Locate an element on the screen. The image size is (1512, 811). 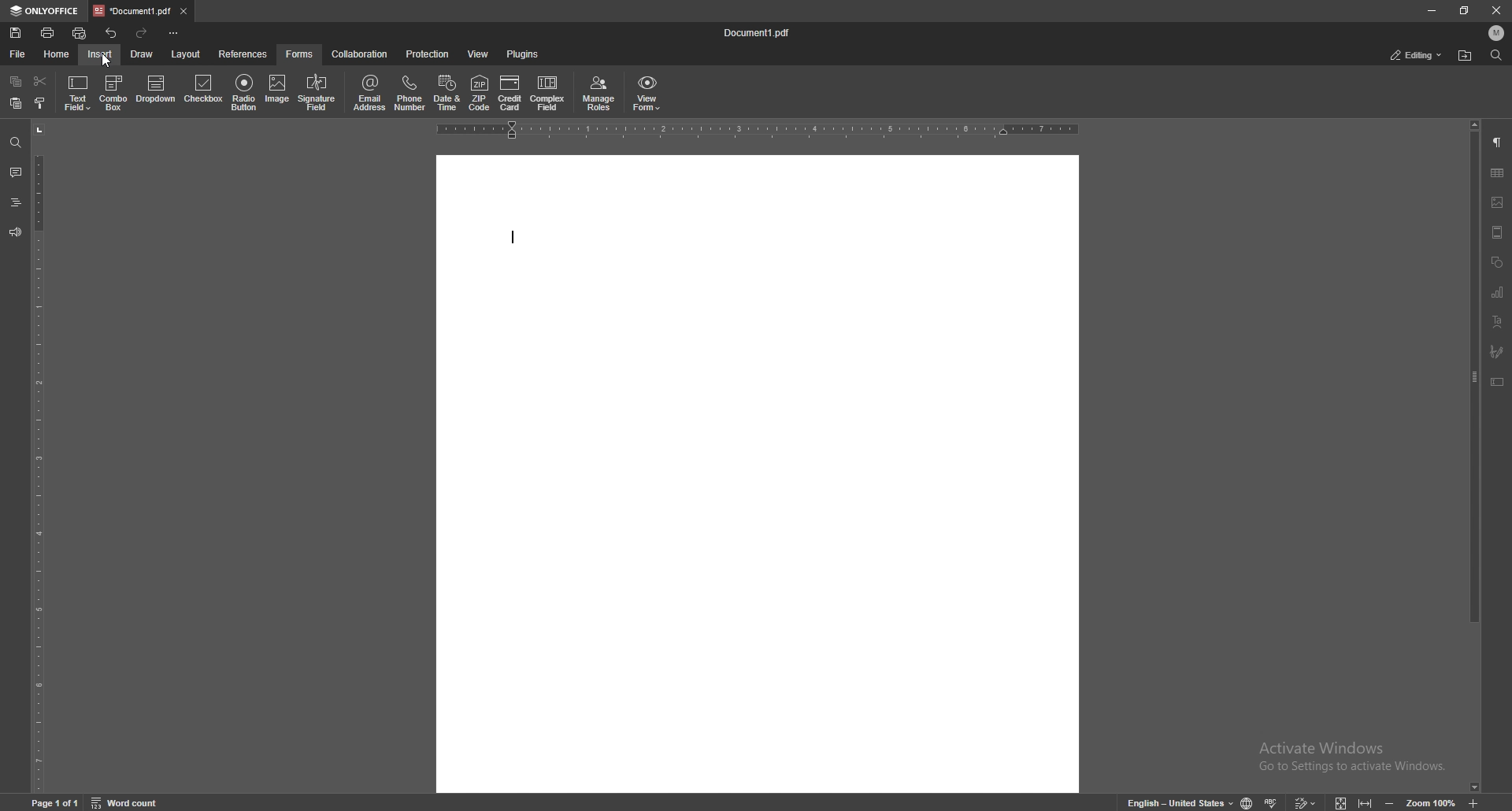
change doc language is located at coordinates (1247, 802).